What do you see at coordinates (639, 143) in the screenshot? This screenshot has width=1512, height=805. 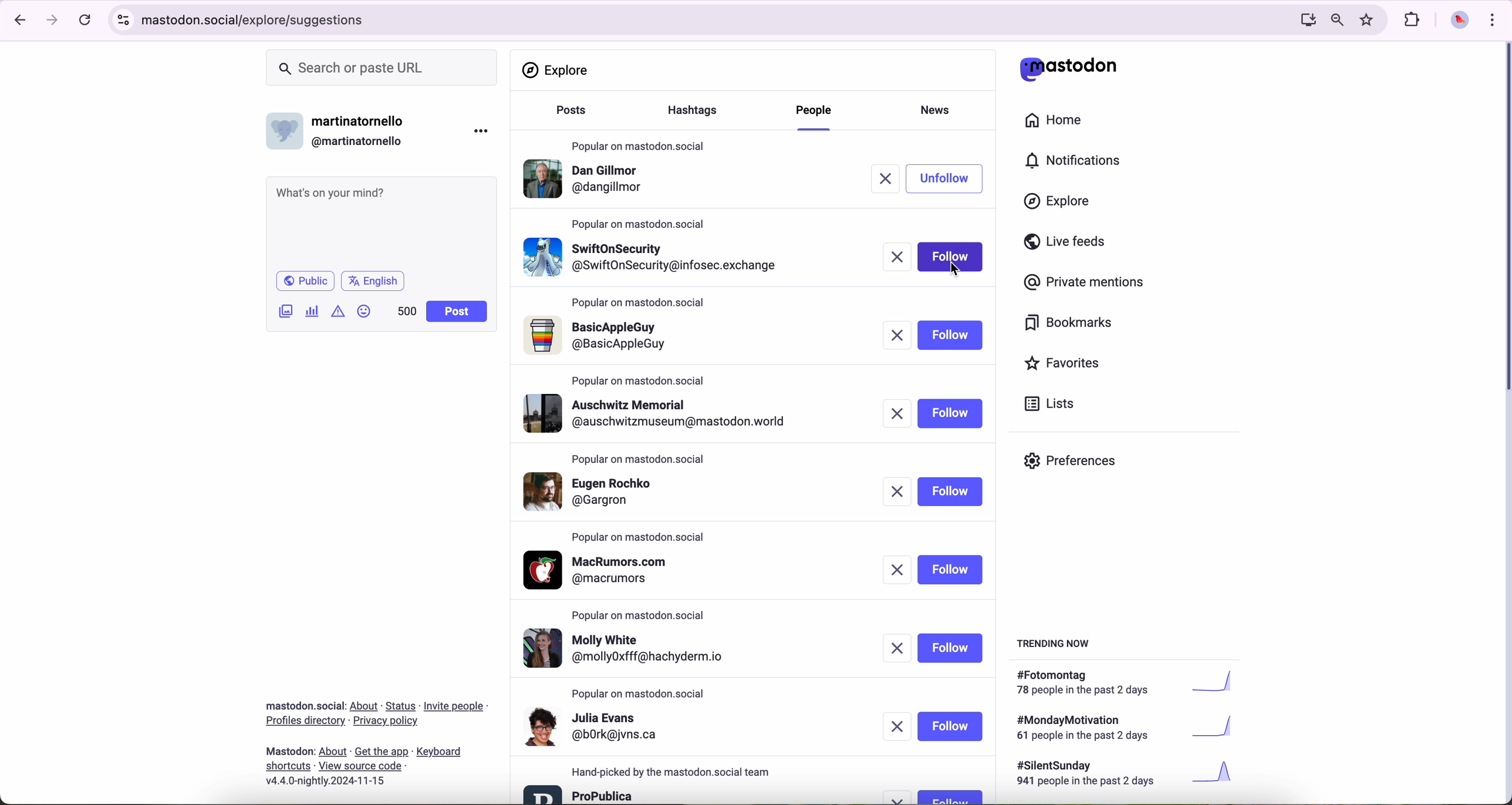 I see `popular on mastodon.social` at bounding box center [639, 143].